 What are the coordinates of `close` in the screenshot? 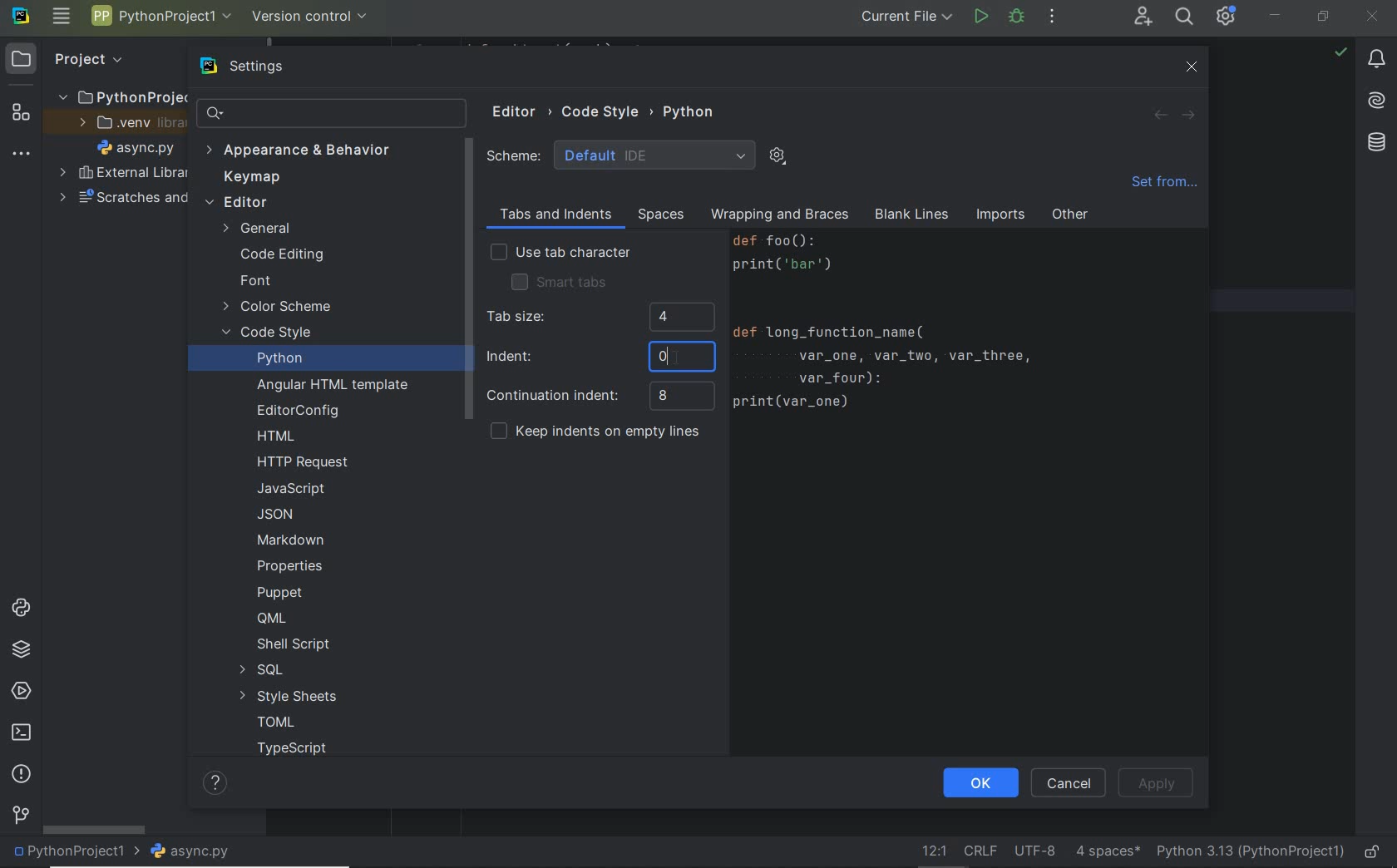 It's located at (1192, 67).